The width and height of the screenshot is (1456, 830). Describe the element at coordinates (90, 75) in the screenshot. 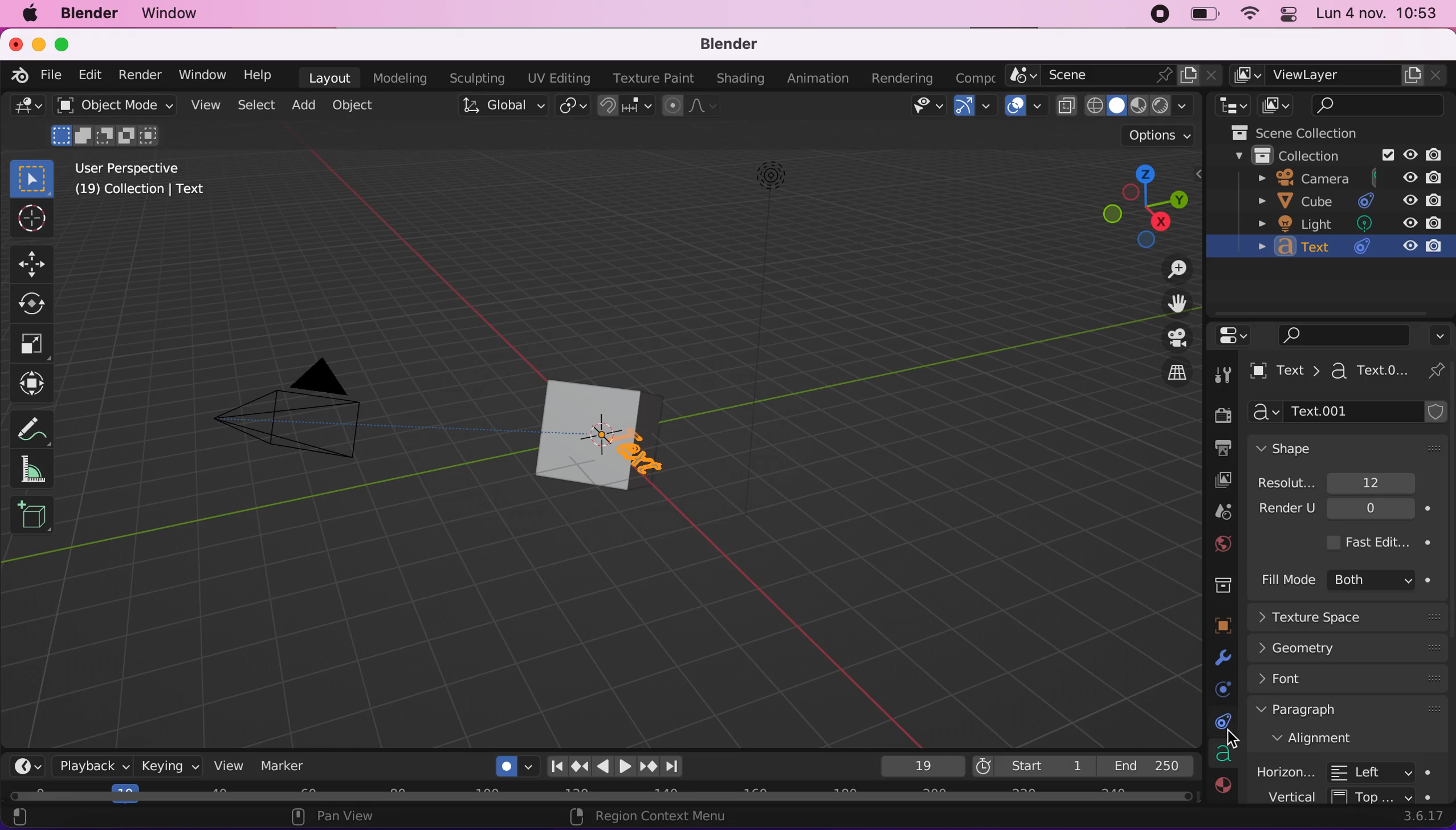

I see `edit` at that location.